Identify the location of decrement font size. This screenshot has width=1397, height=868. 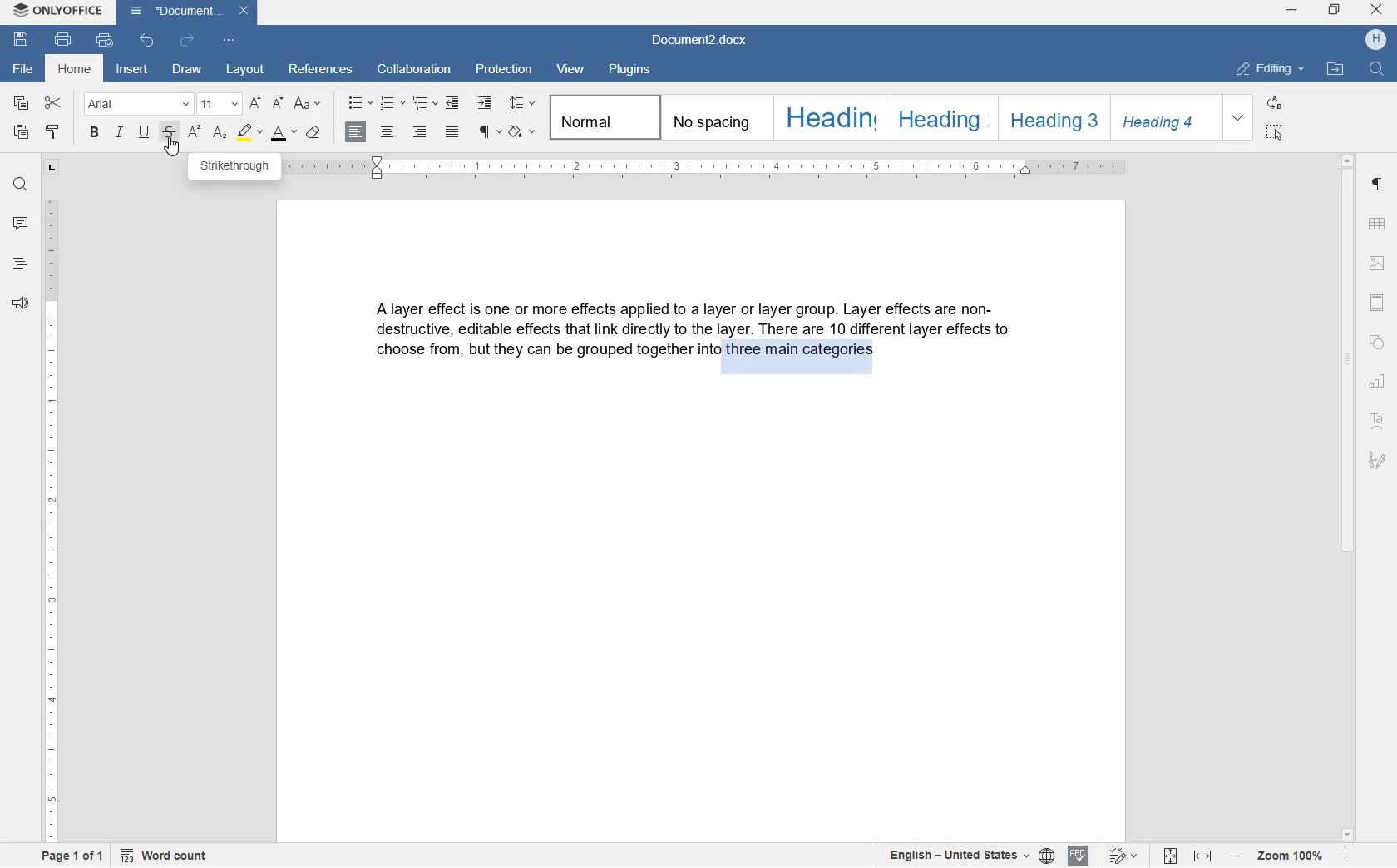
(279, 104).